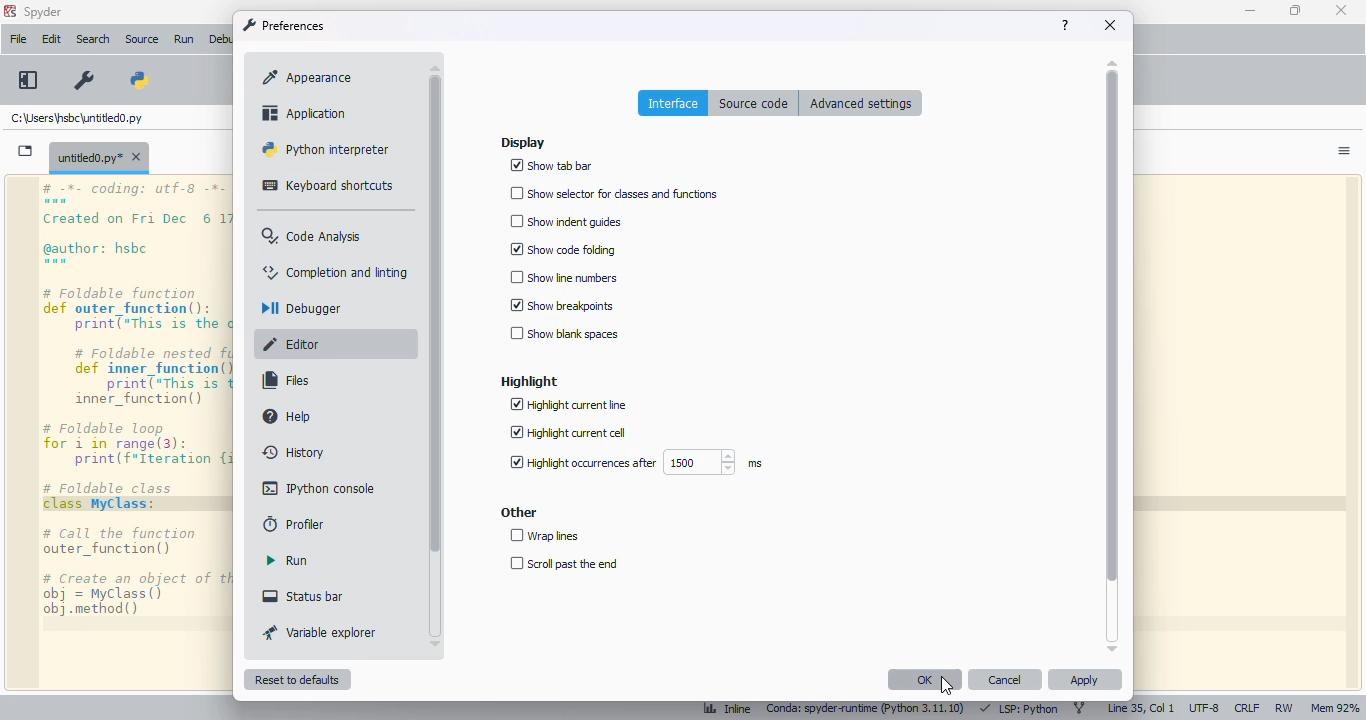 The image size is (1366, 720). Describe the element at coordinates (947, 686) in the screenshot. I see `cursor` at that location.